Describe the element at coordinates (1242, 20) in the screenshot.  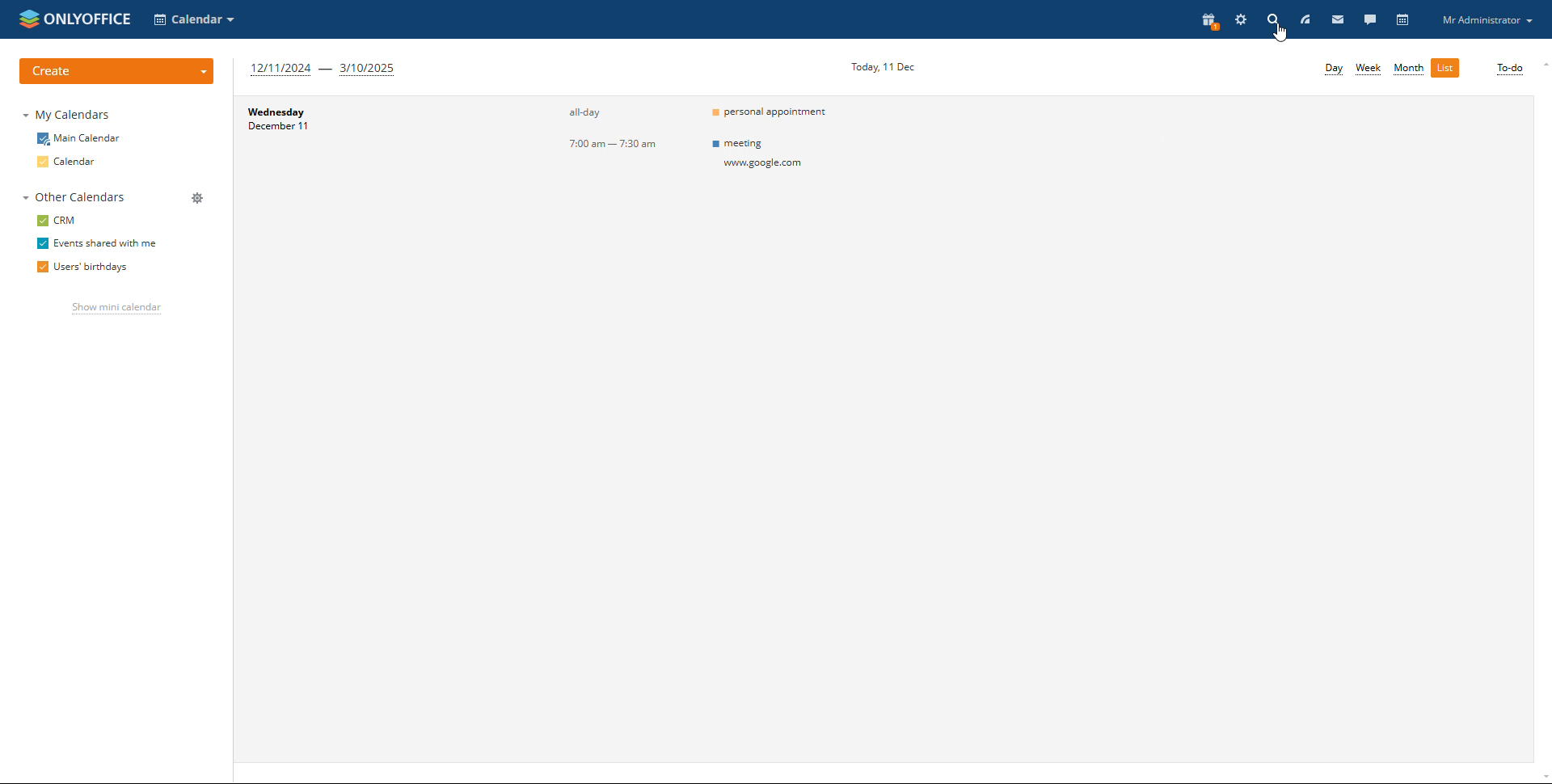
I see `settings` at that location.